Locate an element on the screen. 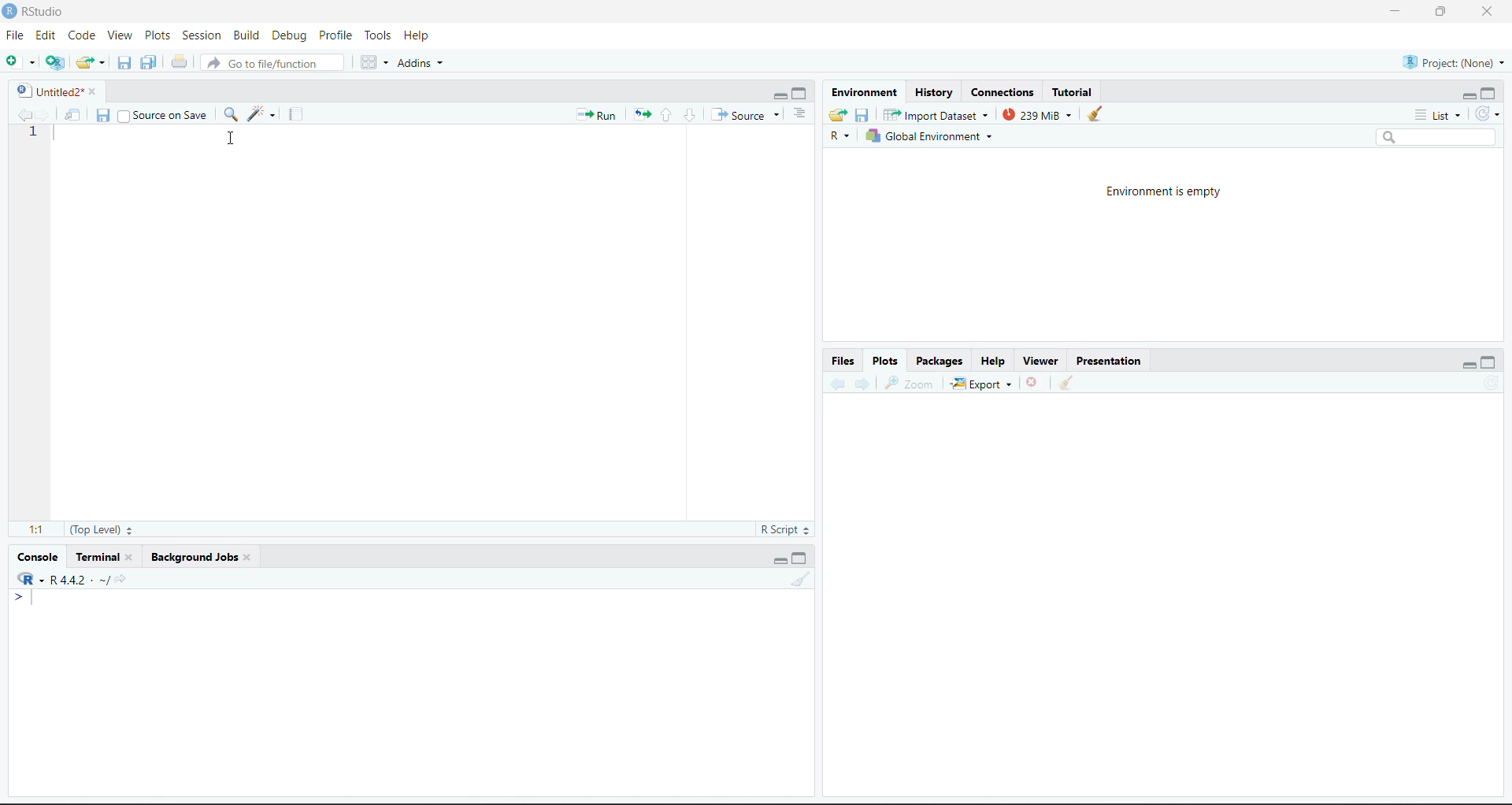  Profile is located at coordinates (333, 35).